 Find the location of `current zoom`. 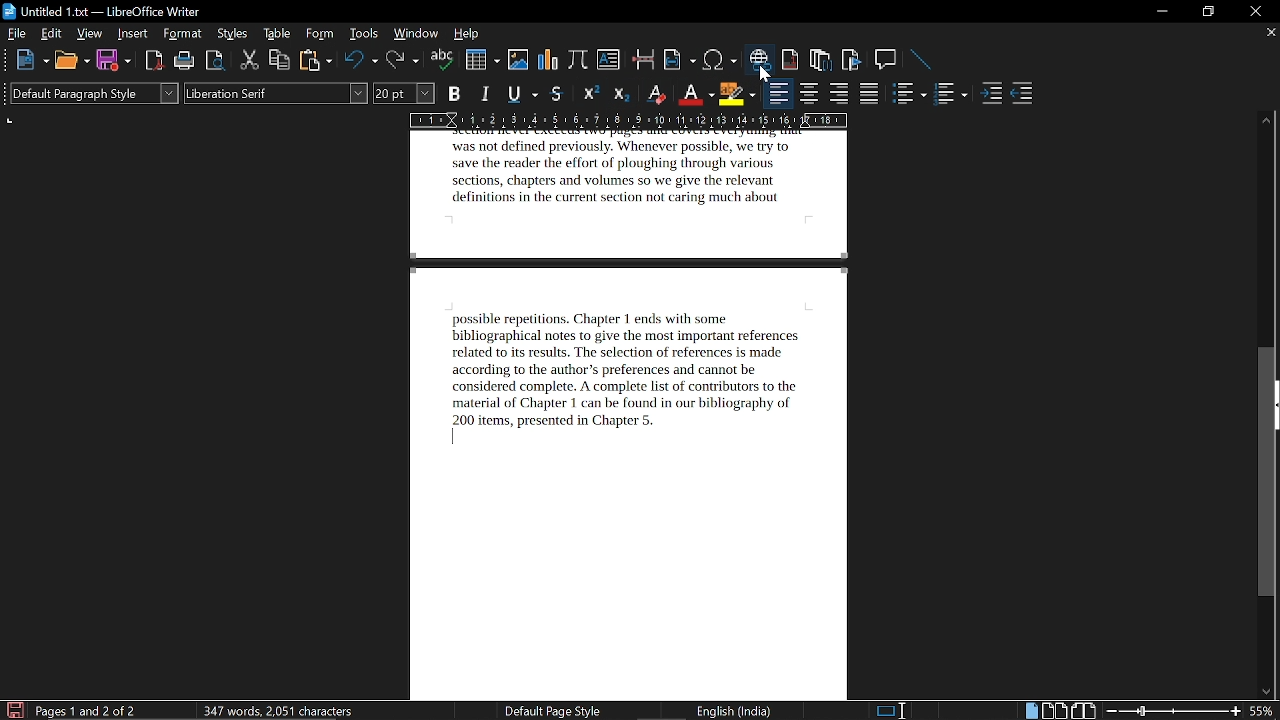

current zoom is located at coordinates (1265, 712).